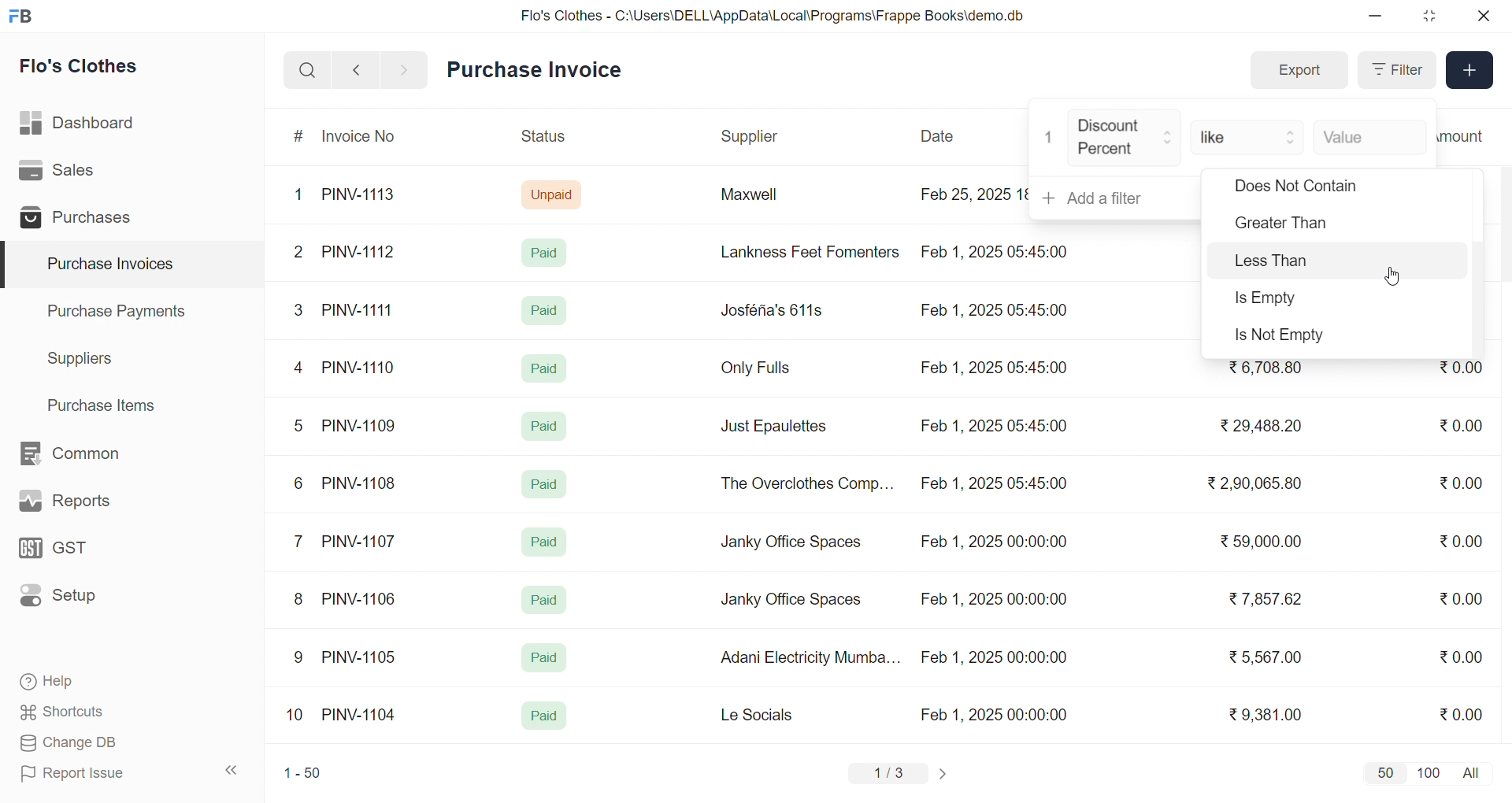 The width and height of the screenshot is (1512, 803). Describe the element at coordinates (1265, 368) in the screenshot. I see `₹6,708.80` at that location.